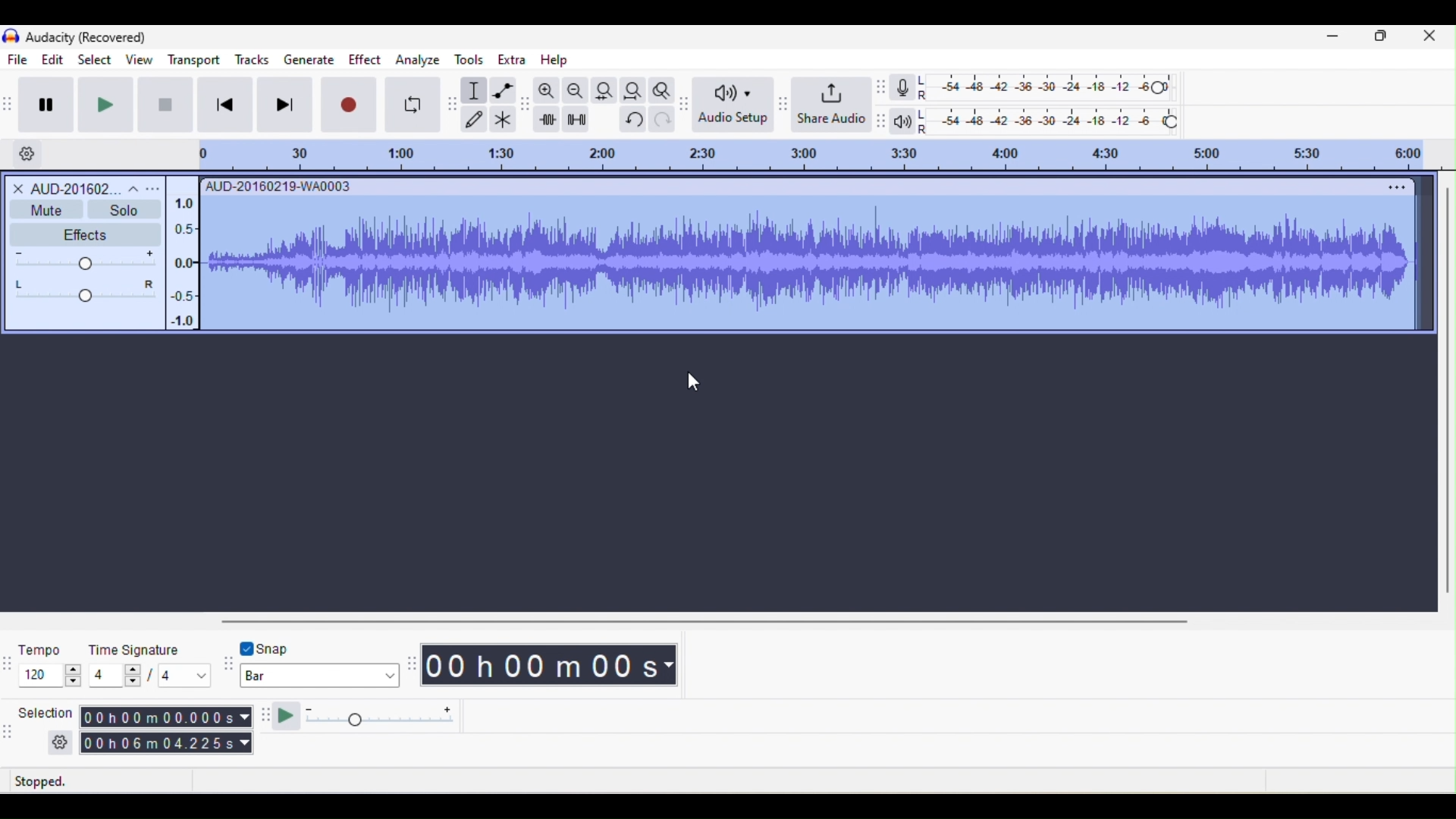  I want to click on 00 h 00 m 00 s, so click(551, 667).